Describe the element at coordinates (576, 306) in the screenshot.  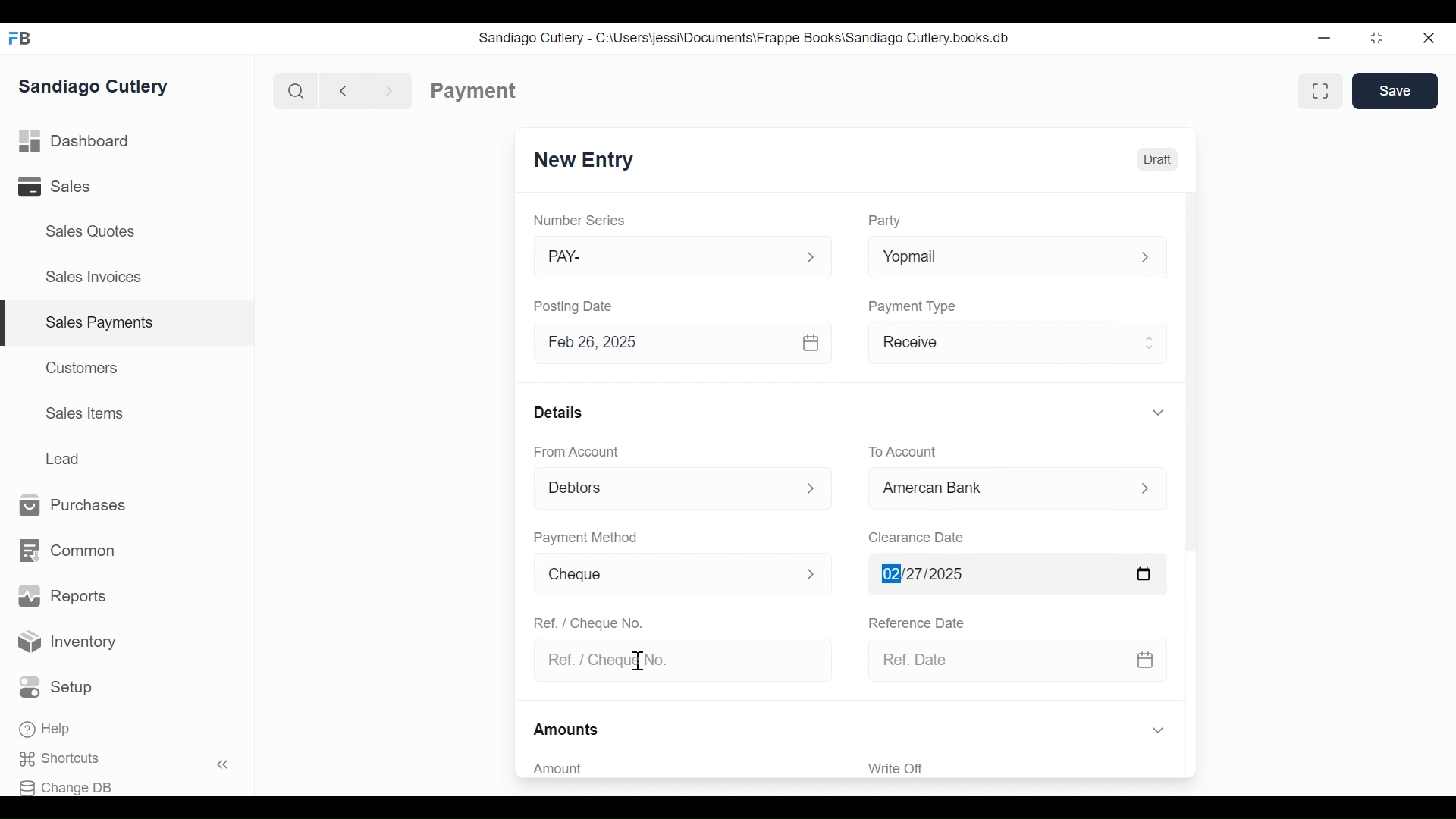
I see `Posting Date` at that location.